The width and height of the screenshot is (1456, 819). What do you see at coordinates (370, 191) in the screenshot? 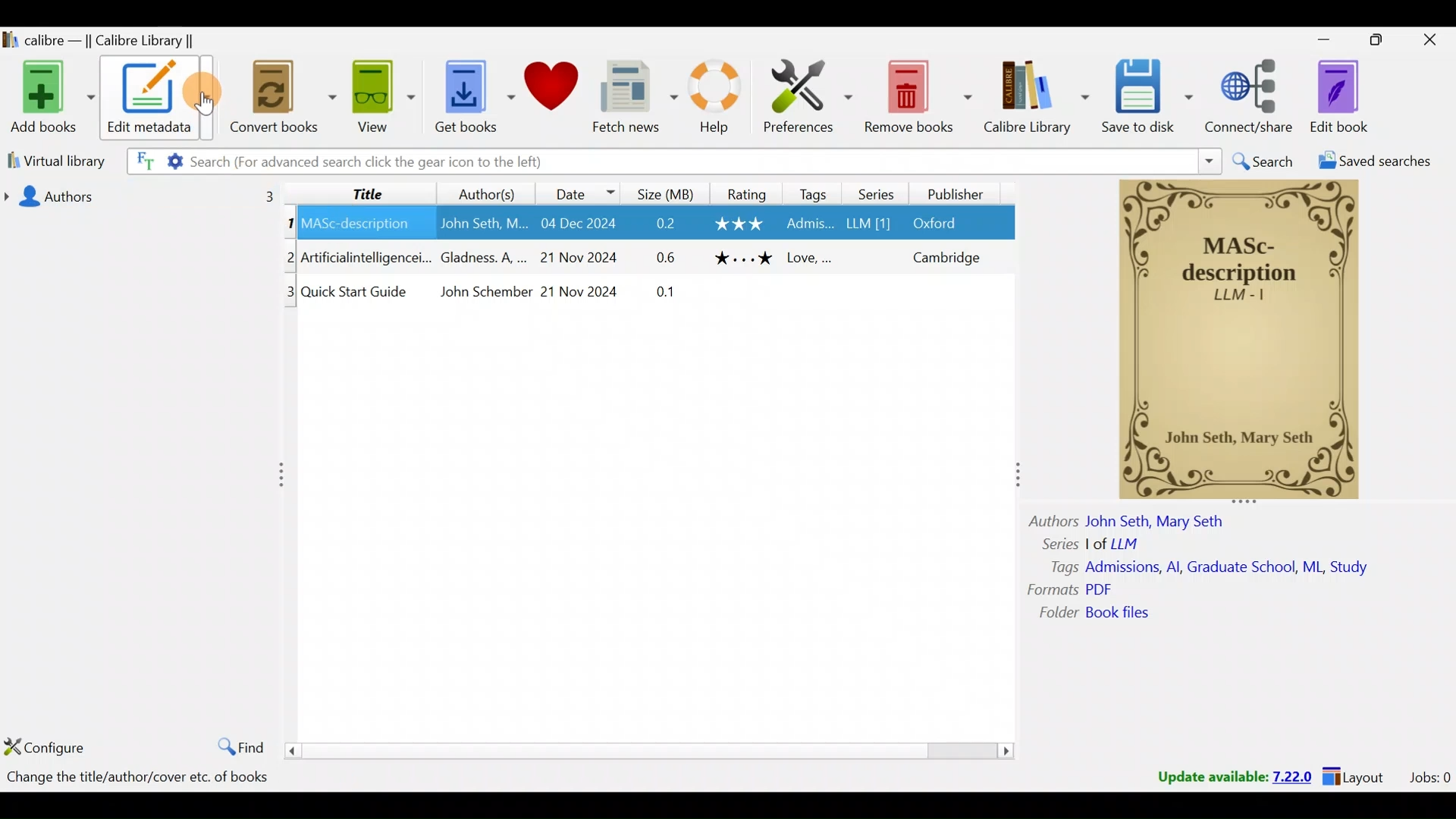
I see `Title` at bounding box center [370, 191].